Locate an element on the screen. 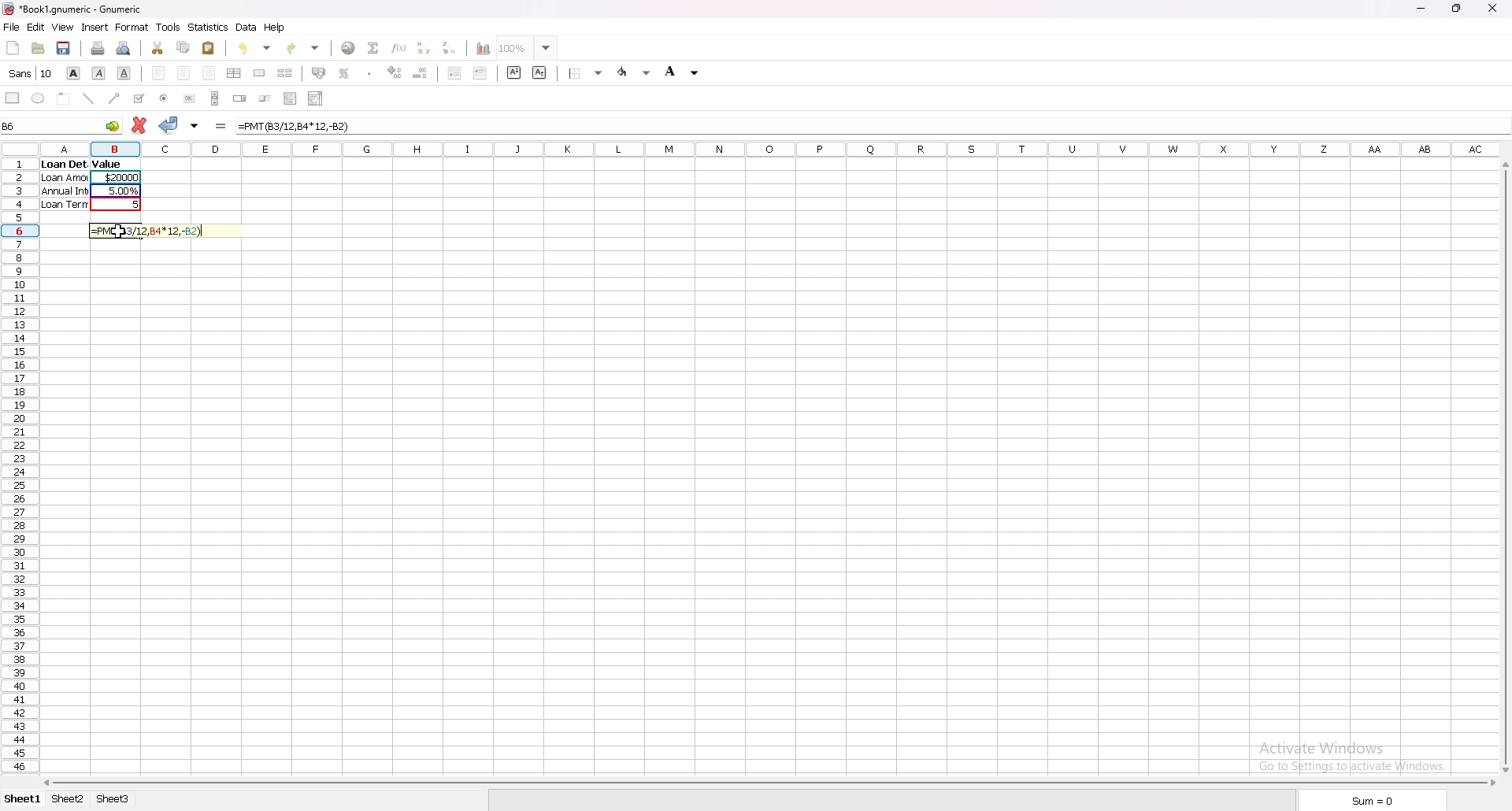  centre is located at coordinates (183, 73).